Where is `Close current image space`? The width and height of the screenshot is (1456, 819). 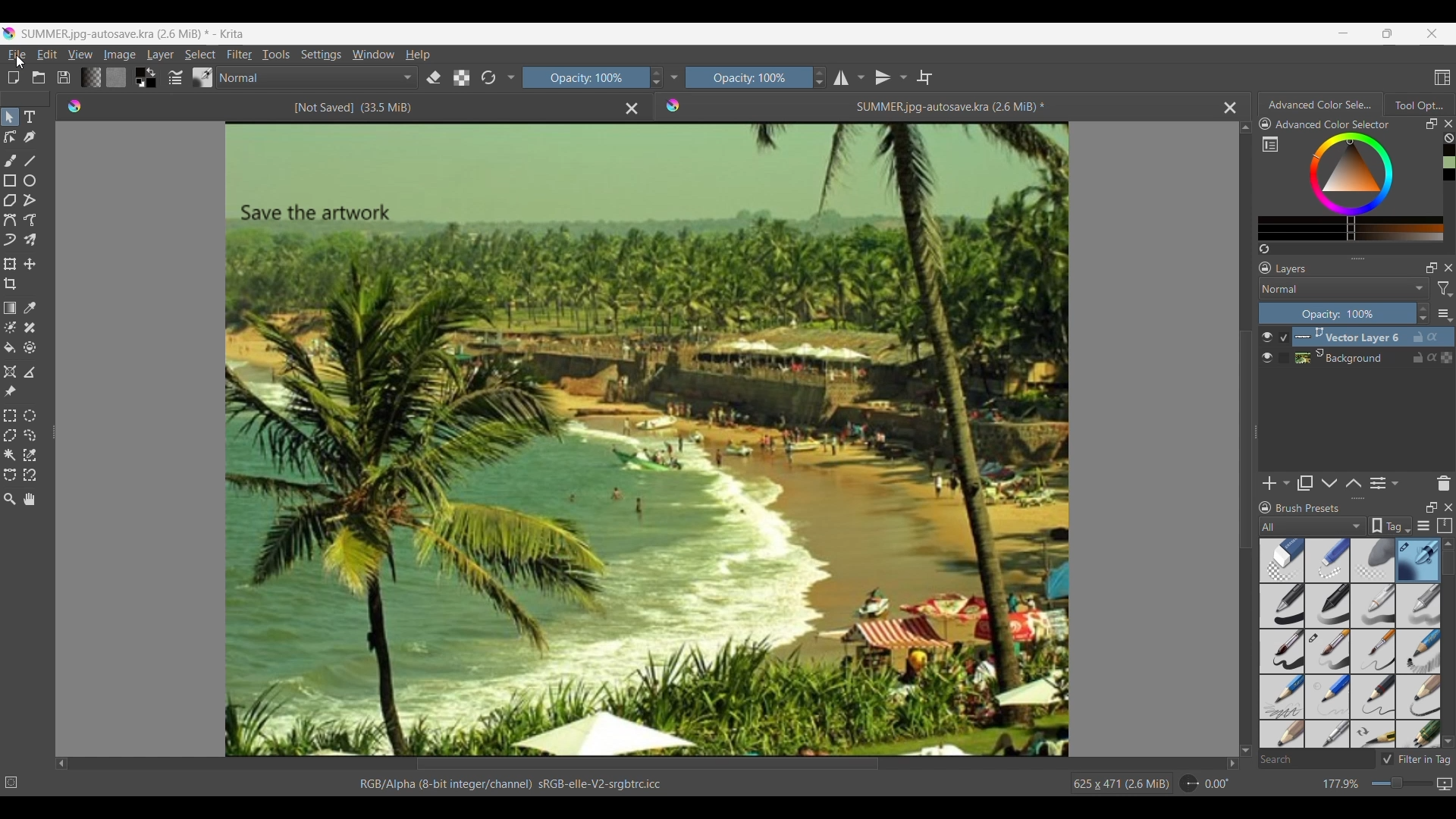
Close current image space is located at coordinates (1230, 108).